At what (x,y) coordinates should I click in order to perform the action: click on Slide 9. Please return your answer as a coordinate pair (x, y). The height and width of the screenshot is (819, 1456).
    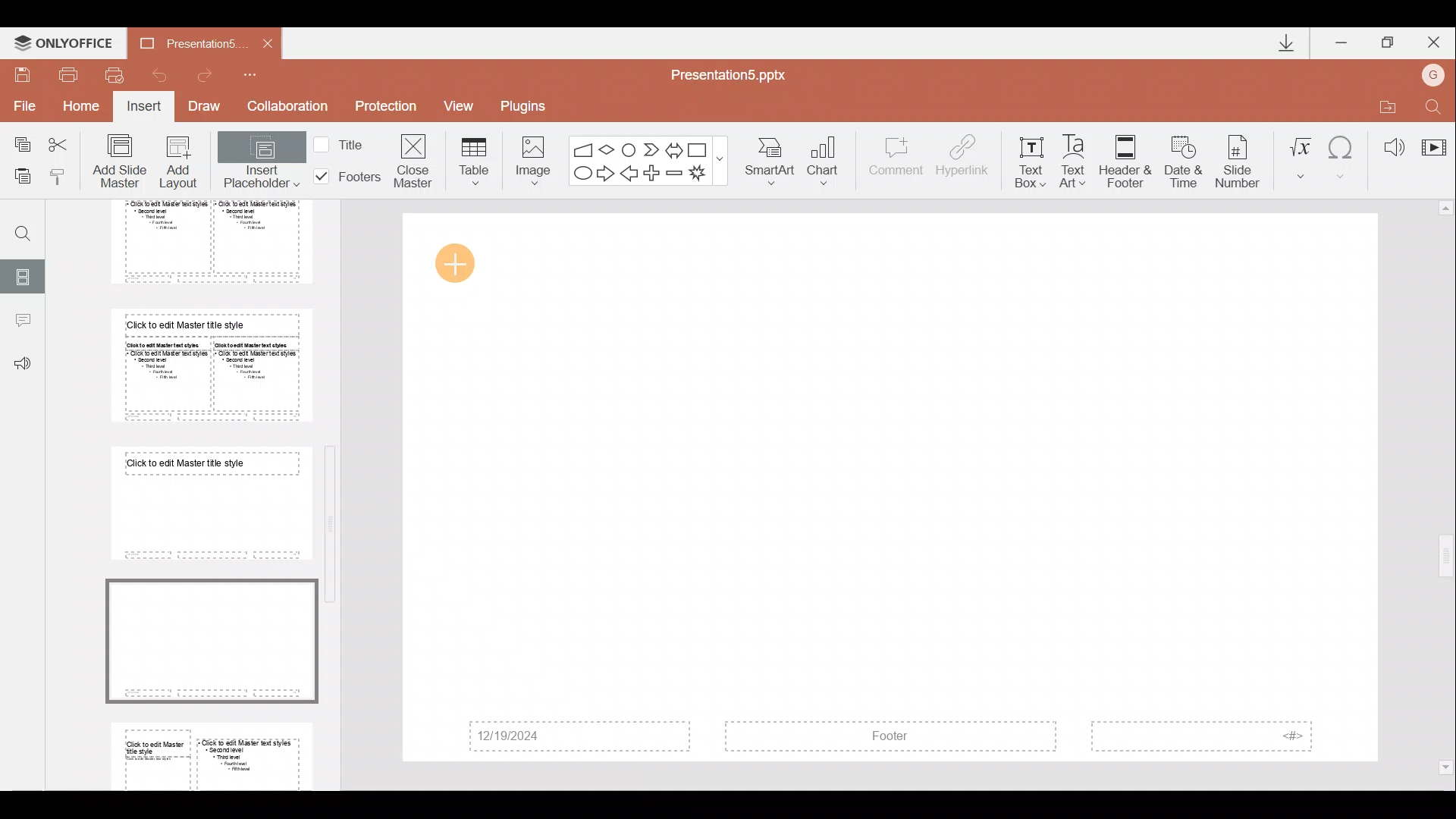
    Looking at the image, I should click on (215, 753).